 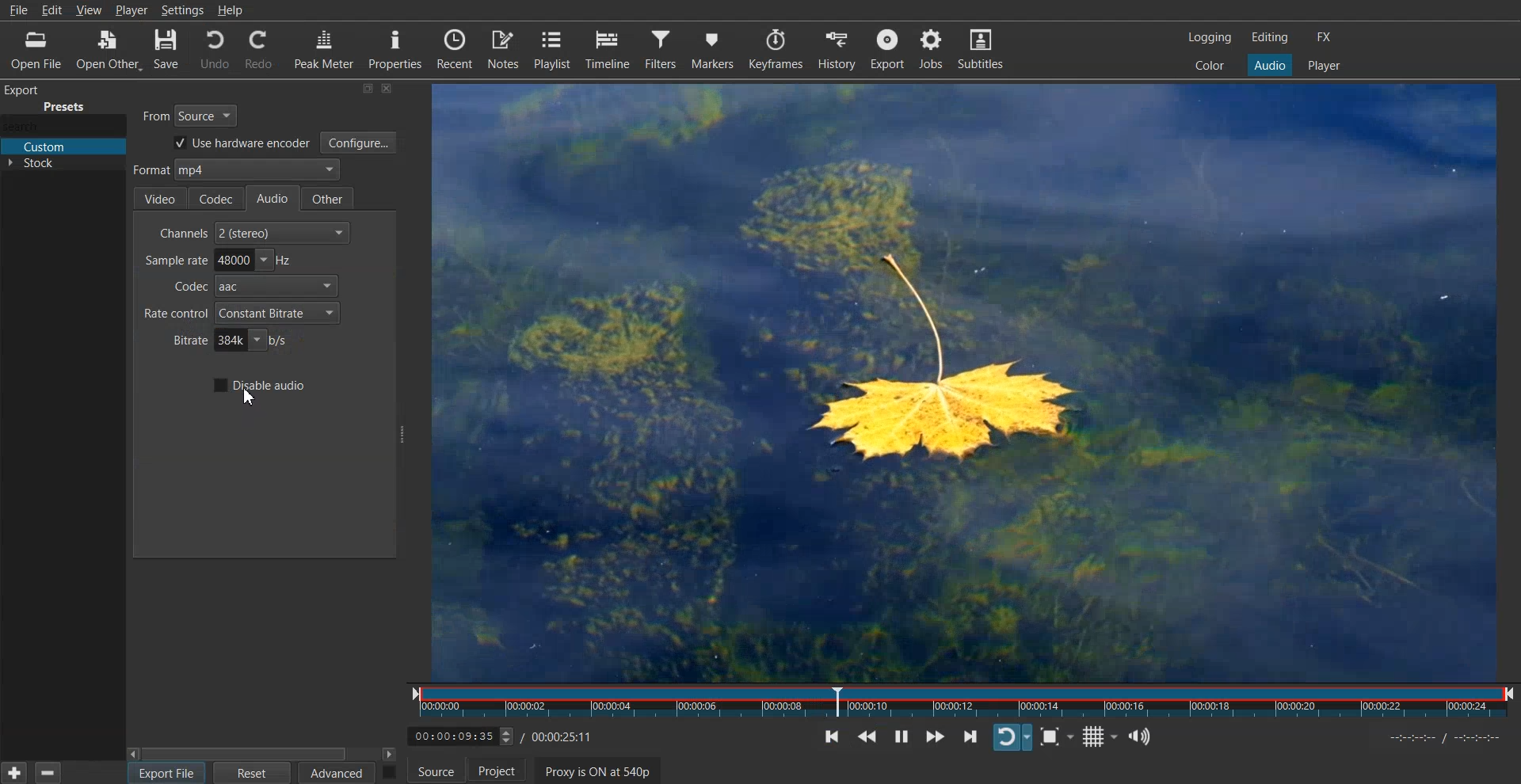 What do you see at coordinates (255, 232) in the screenshot?
I see `Channel ` at bounding box center [255, 232].